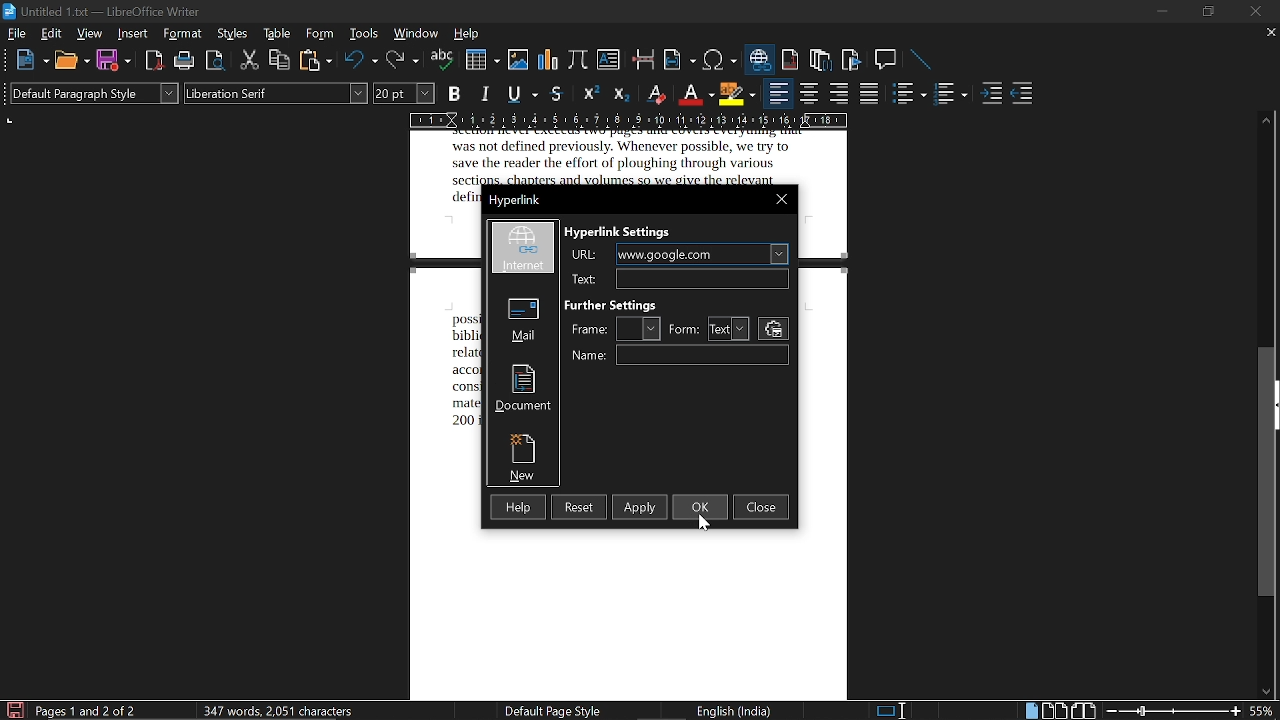 This screenshot has width=1280, height=720. I want to click on font color, so click(694, 93).